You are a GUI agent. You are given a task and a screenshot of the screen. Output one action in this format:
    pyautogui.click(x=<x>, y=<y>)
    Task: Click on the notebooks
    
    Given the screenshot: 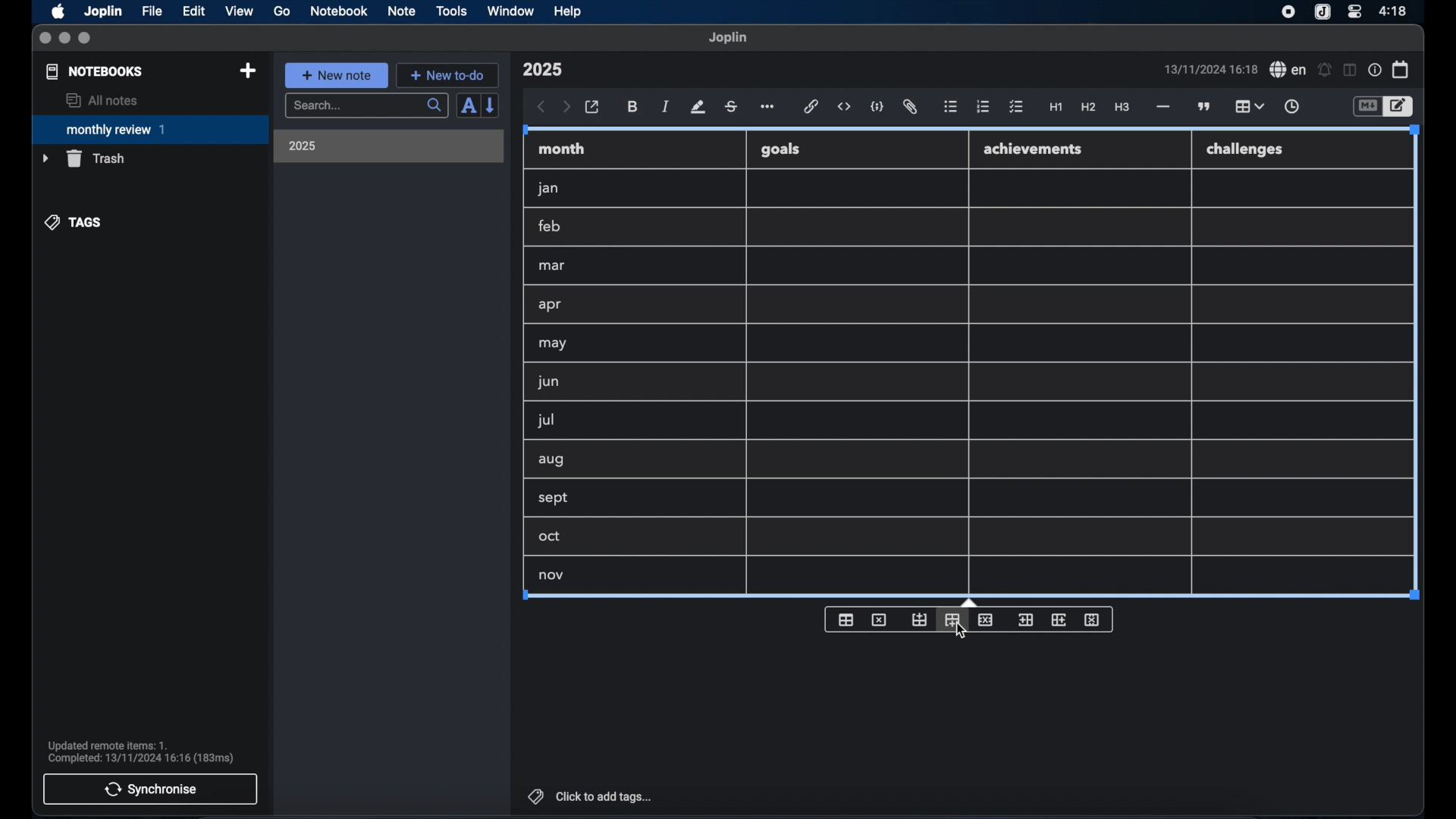 What is the action you would take?
    pyautogui.click(x=95, y=71)
    